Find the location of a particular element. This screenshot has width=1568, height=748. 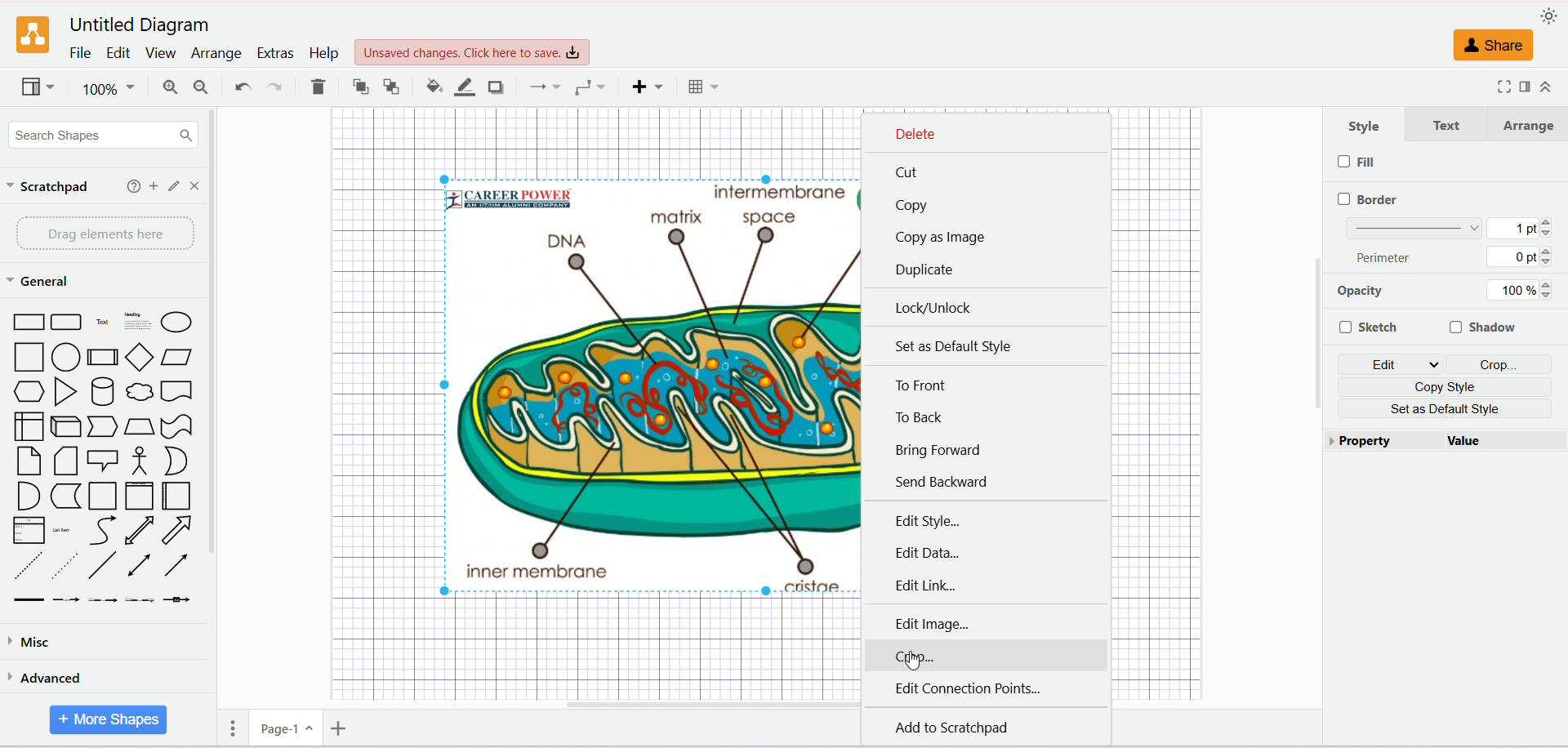

Thought Bubble is located at coordinates (139, 393).